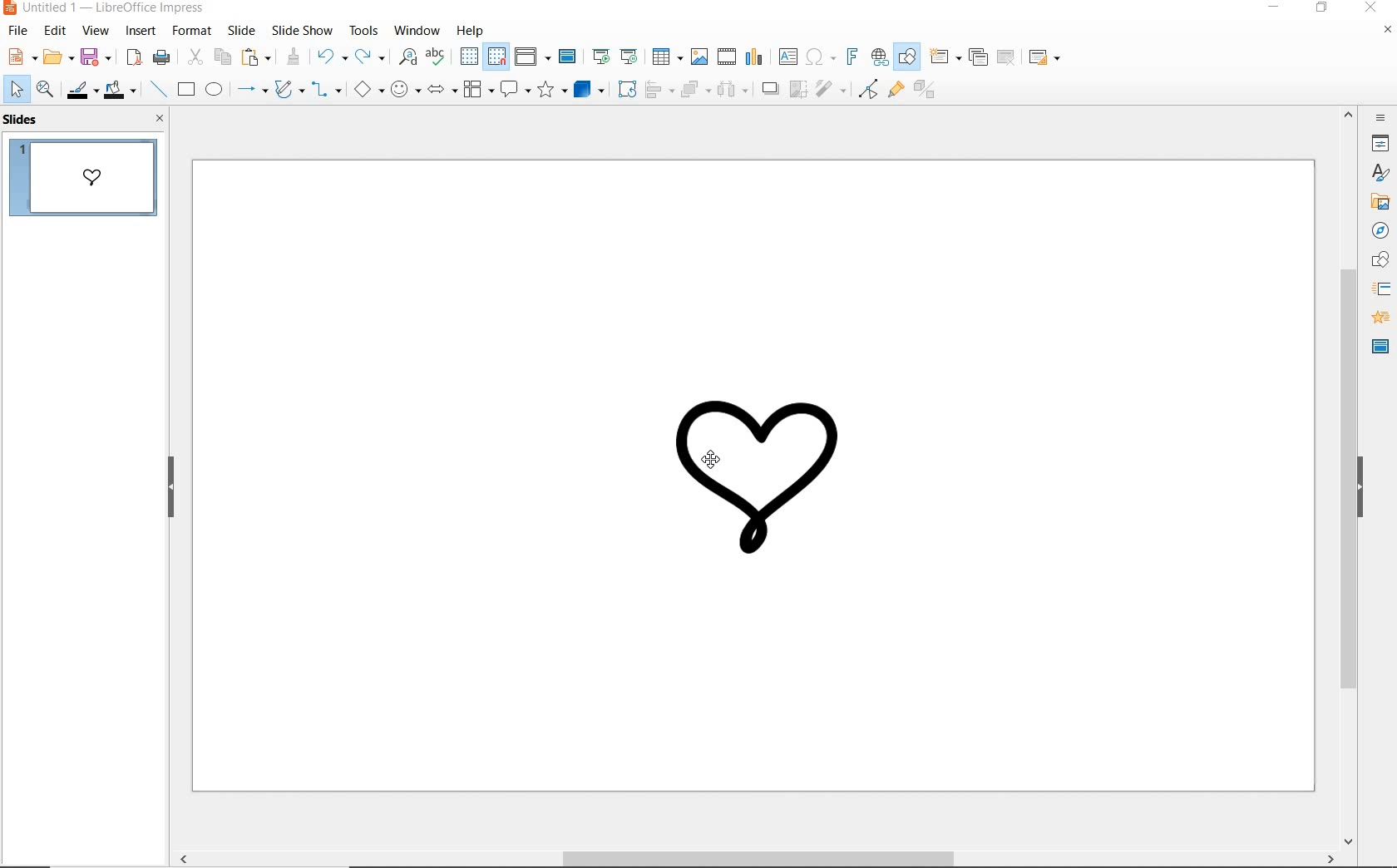 The height and width of the screenshot is (868, 1397). Describe the element at coordinates (437, 57) in the screenshot. I see `spelling` at that location.